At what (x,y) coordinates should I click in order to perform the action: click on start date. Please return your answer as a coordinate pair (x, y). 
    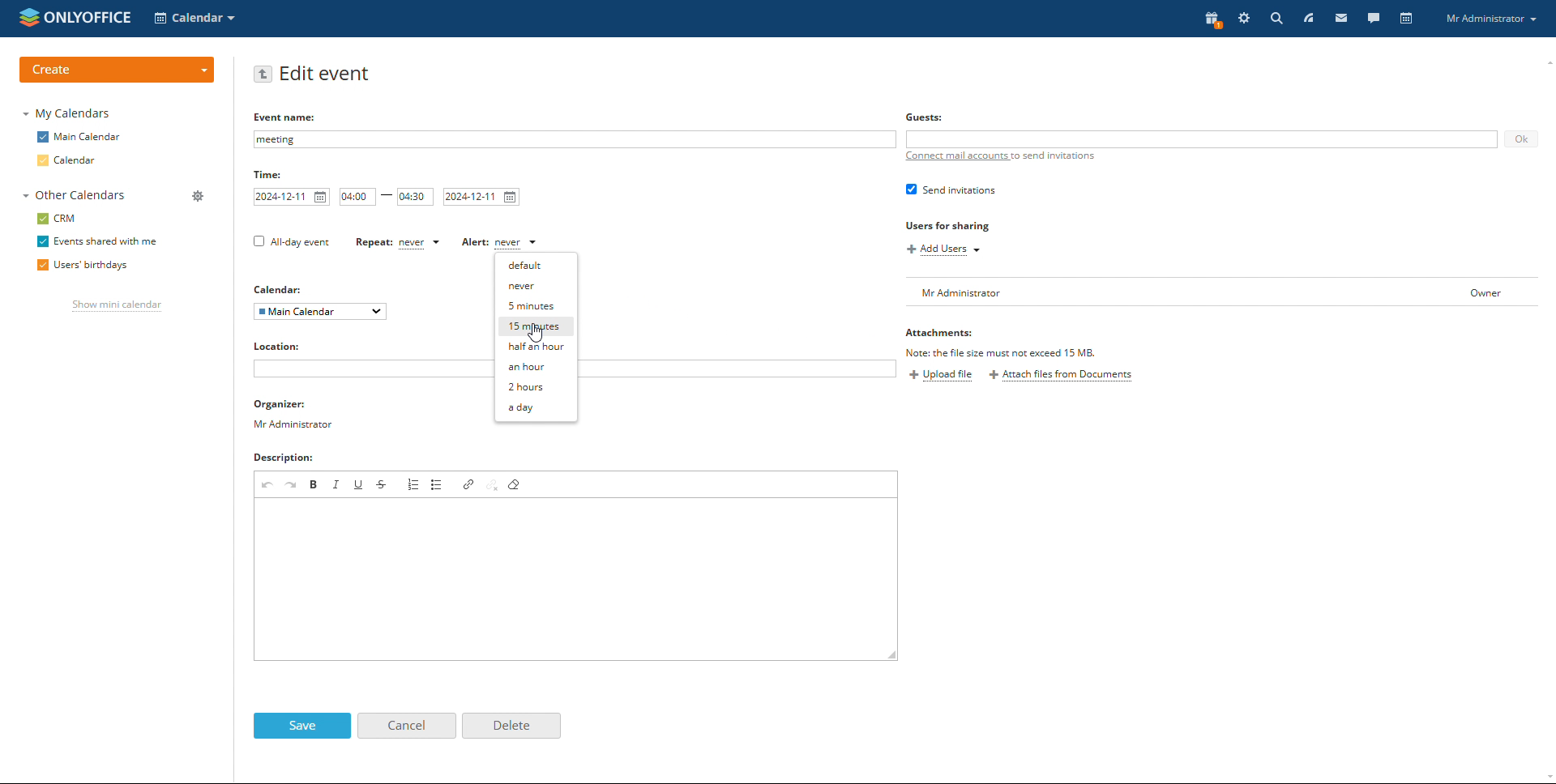
    Looking at the image, I should click on (291, 197).